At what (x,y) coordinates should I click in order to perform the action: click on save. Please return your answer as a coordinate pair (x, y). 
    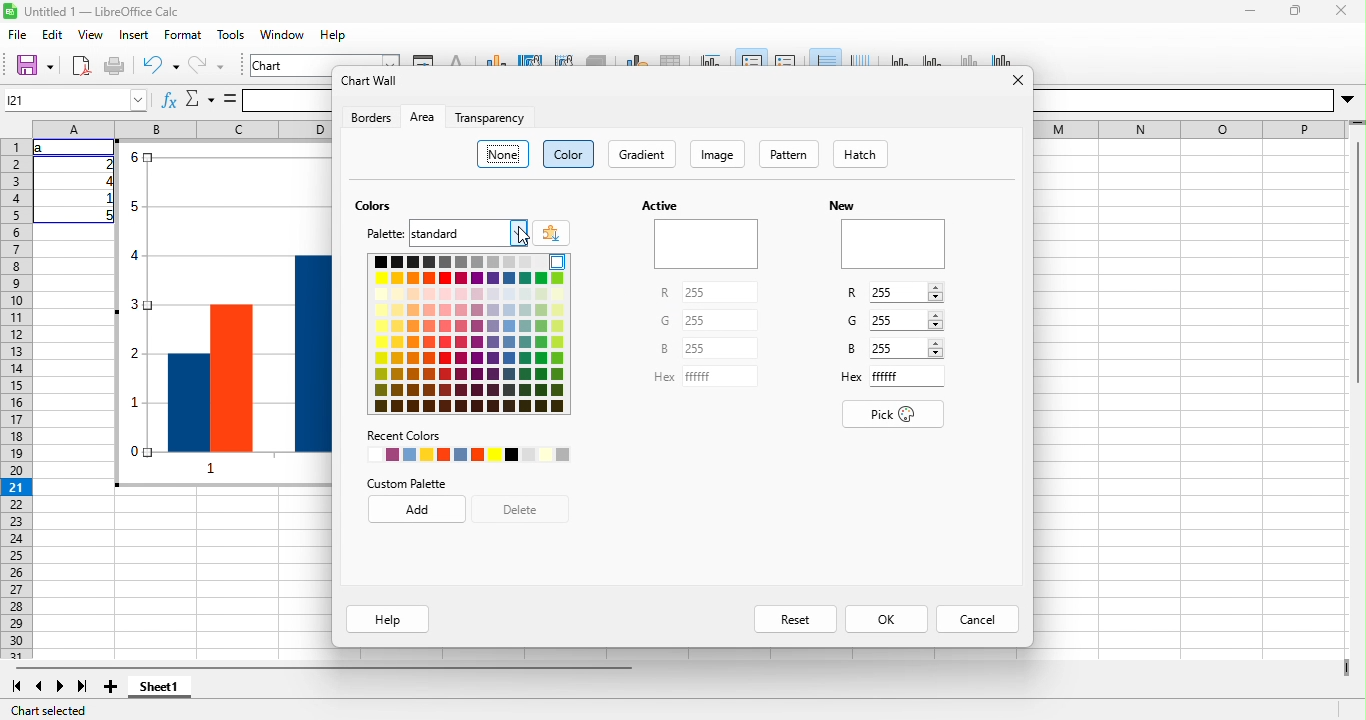
    Looking at the image, I should click on (34, 66).